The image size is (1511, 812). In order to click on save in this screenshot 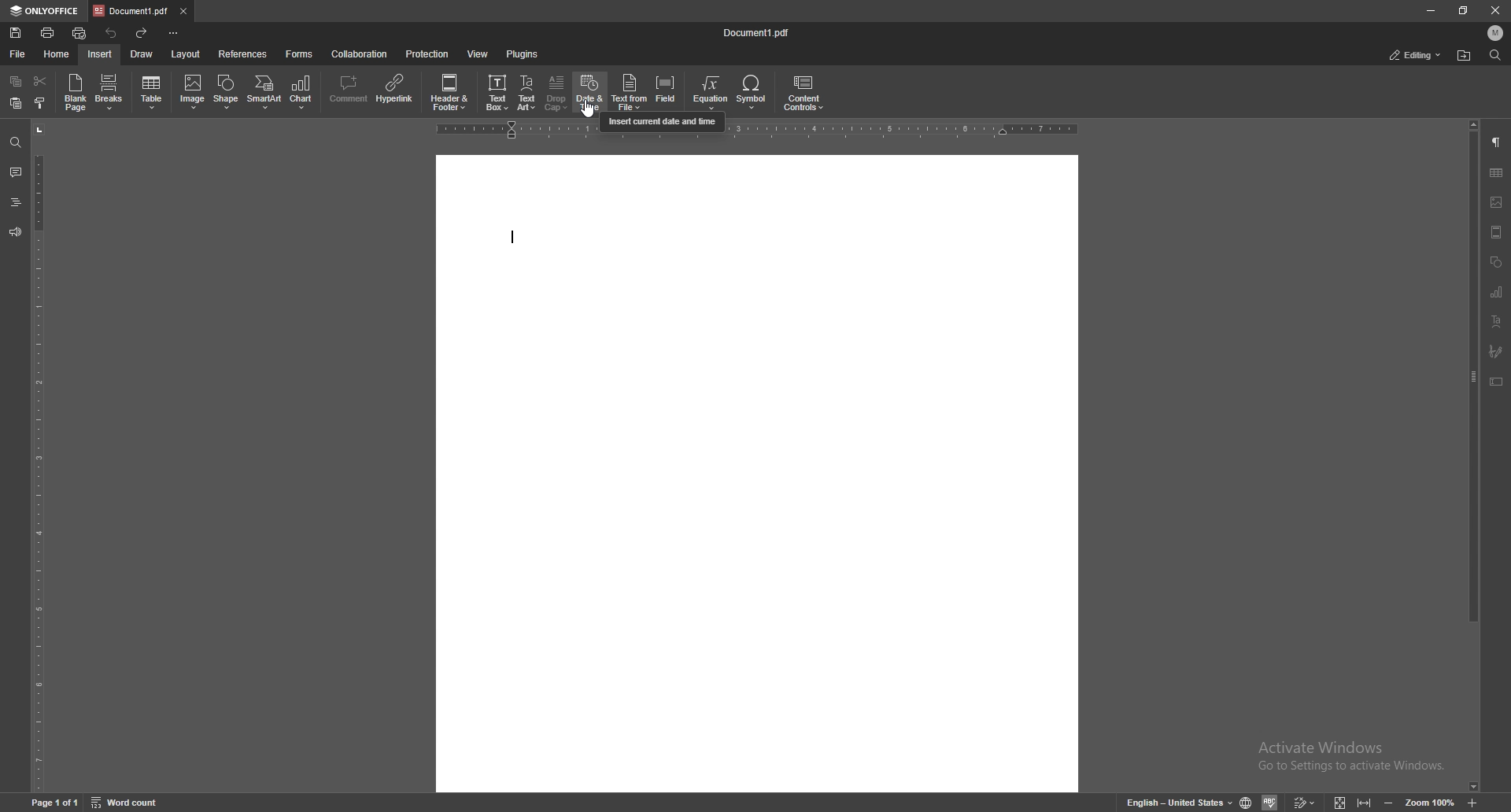, I will do `click(16, 33)`.